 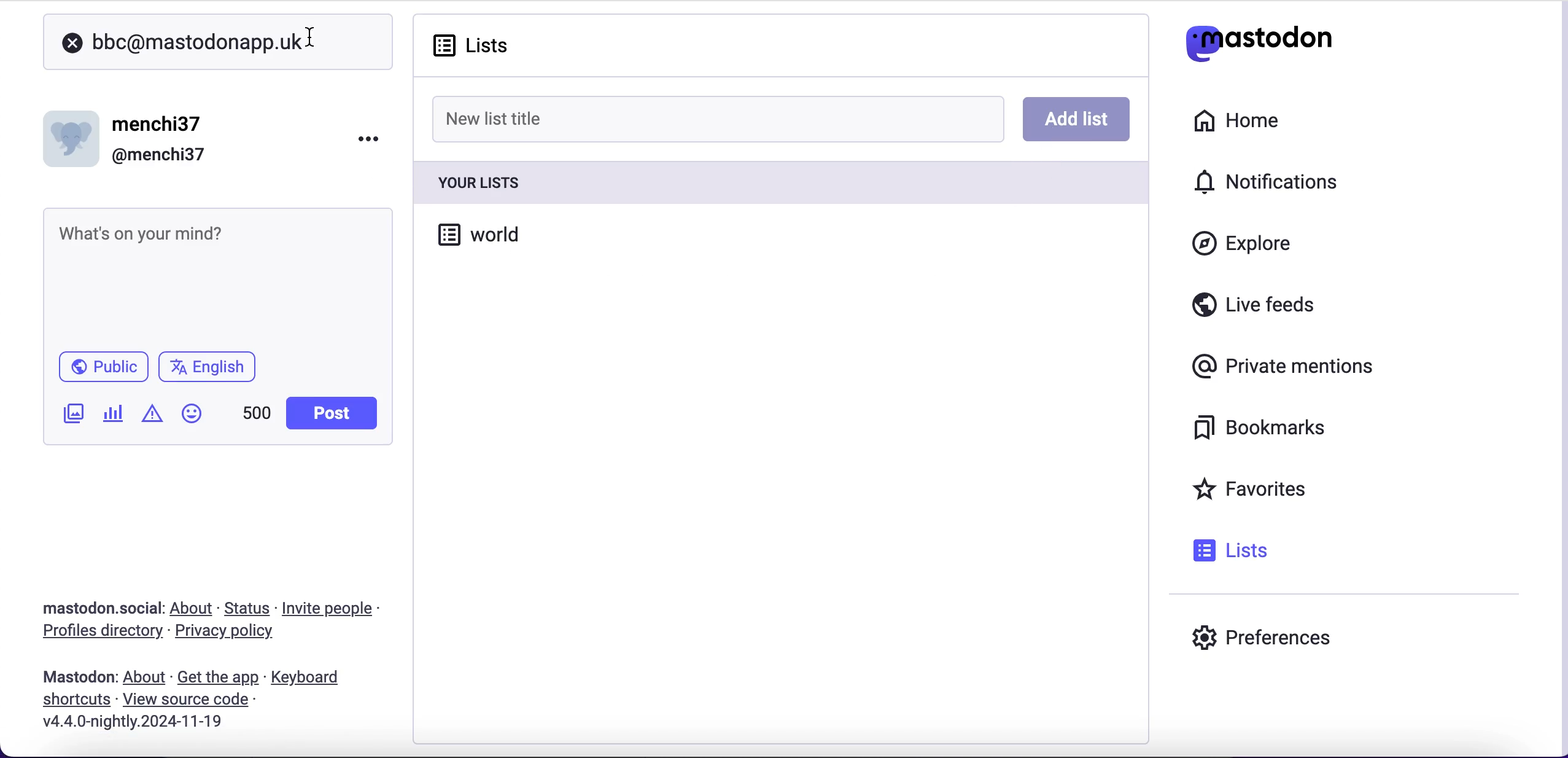 What do you see at coordinates (95, 633) in the screenshot?
I see `profiles directory` at bounding box center [95, 633].